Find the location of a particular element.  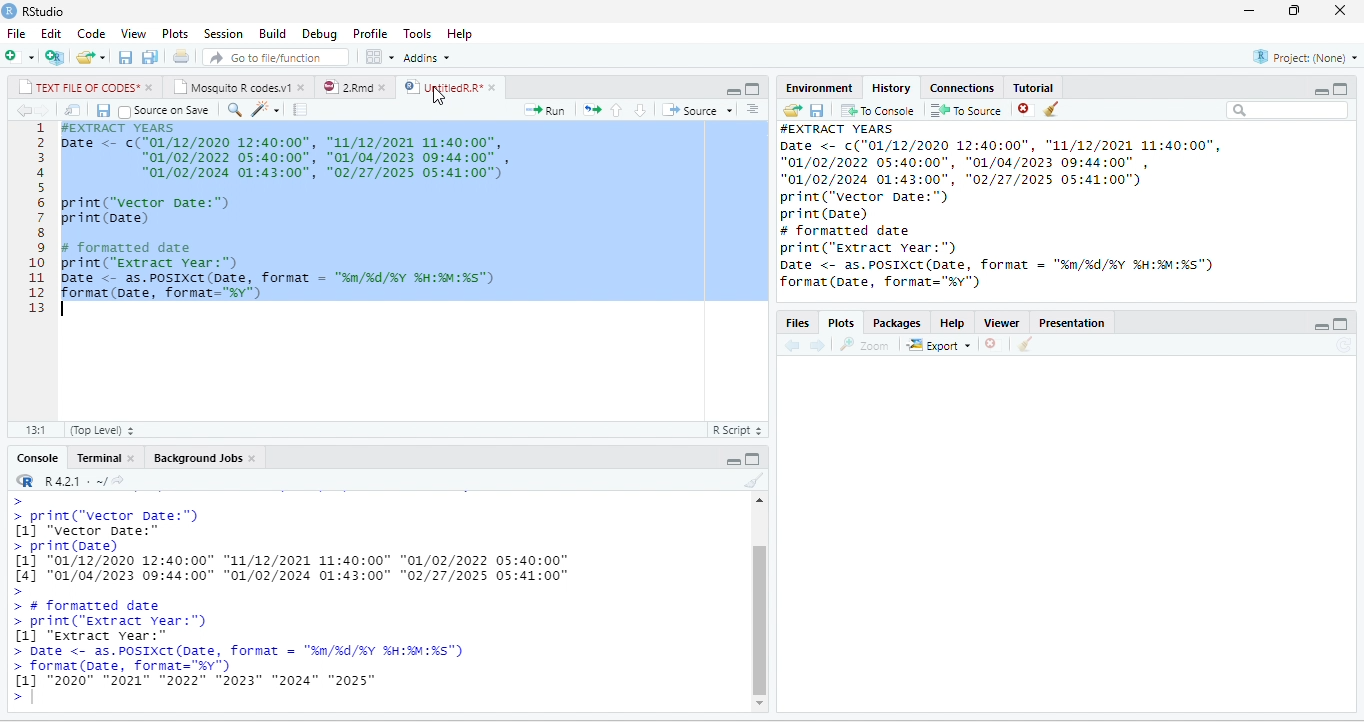

up is located at coordinates (616, 110).